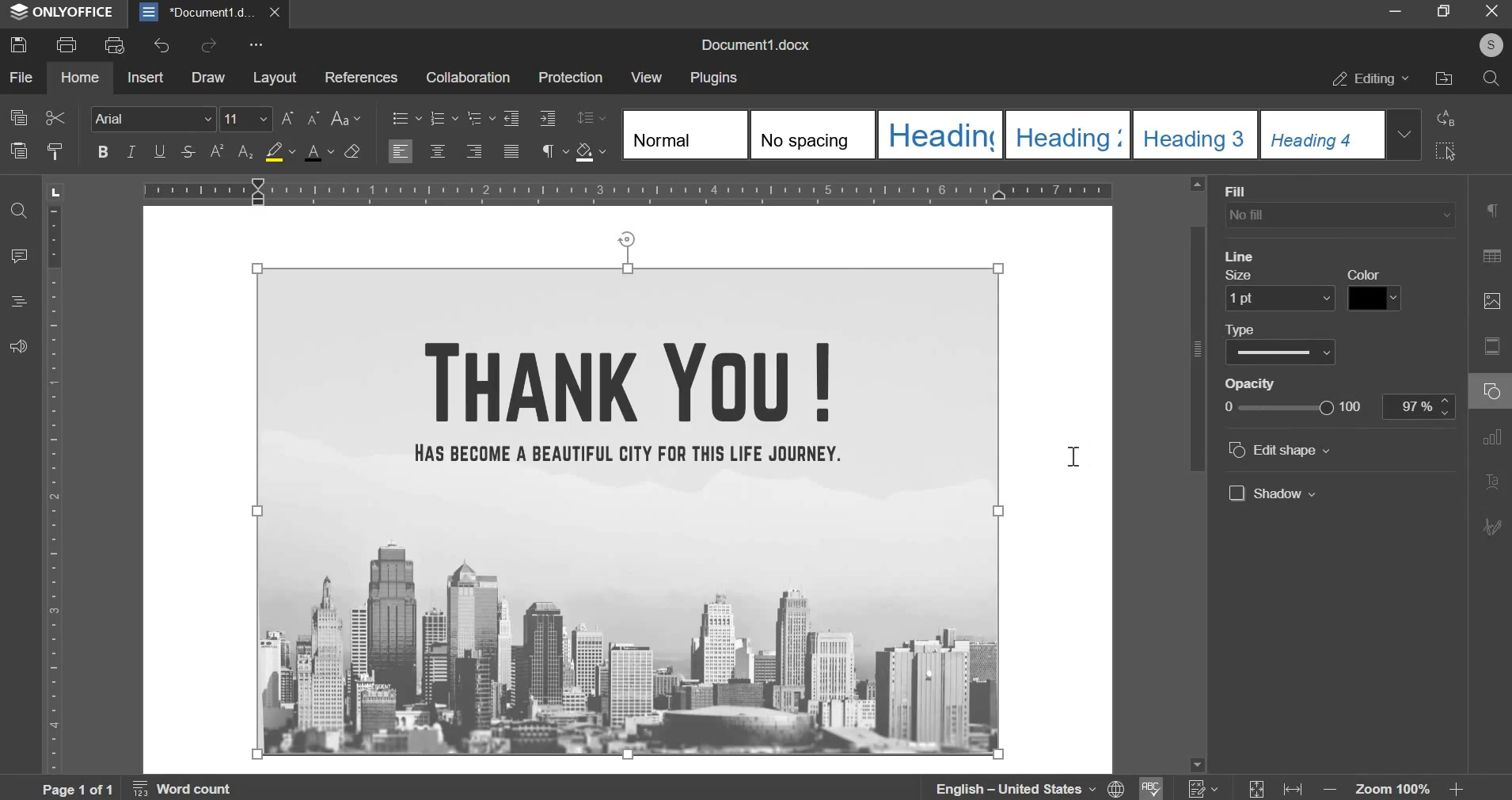 Image resolution: width=1512 pixels, height=800 pixels. I want to click on Document1.docx, so click(760, 42).